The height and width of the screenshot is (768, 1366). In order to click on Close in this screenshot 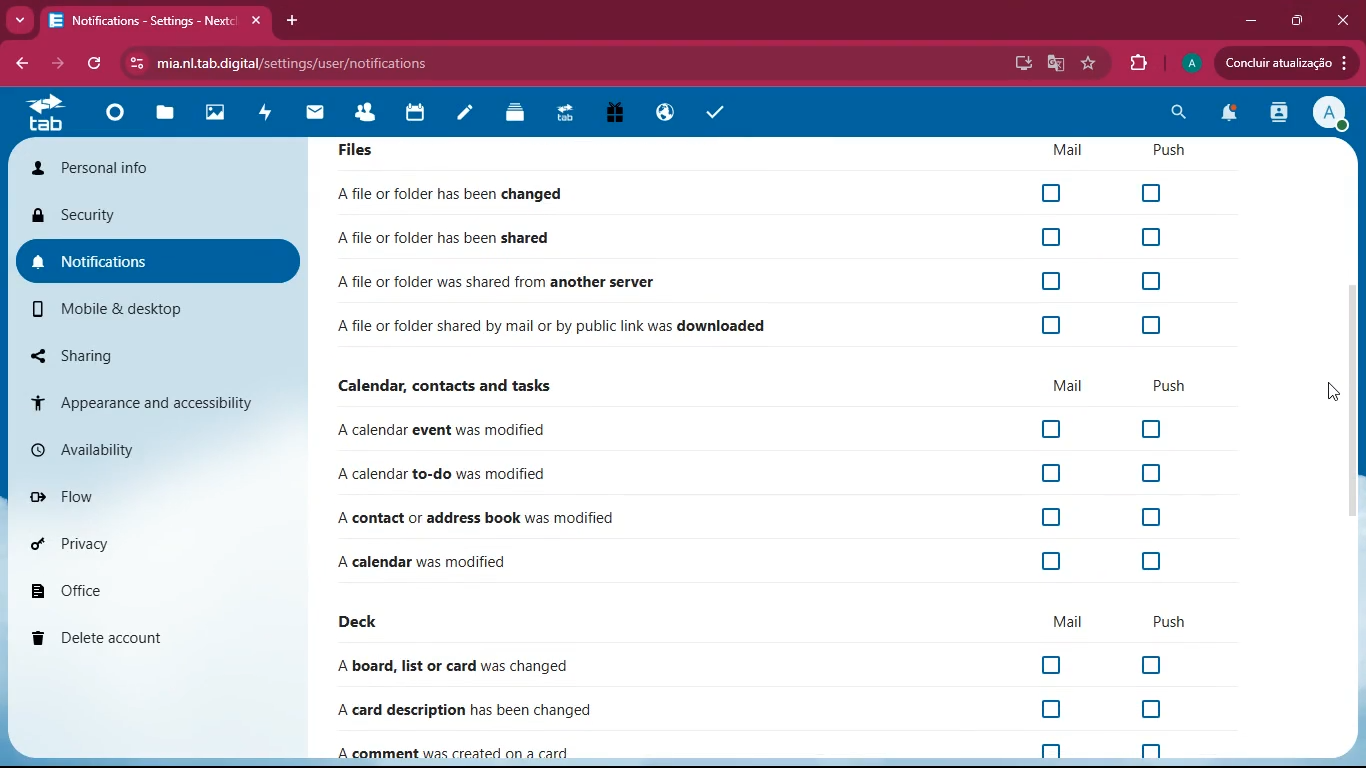, I will do `click(1344, 19)`.